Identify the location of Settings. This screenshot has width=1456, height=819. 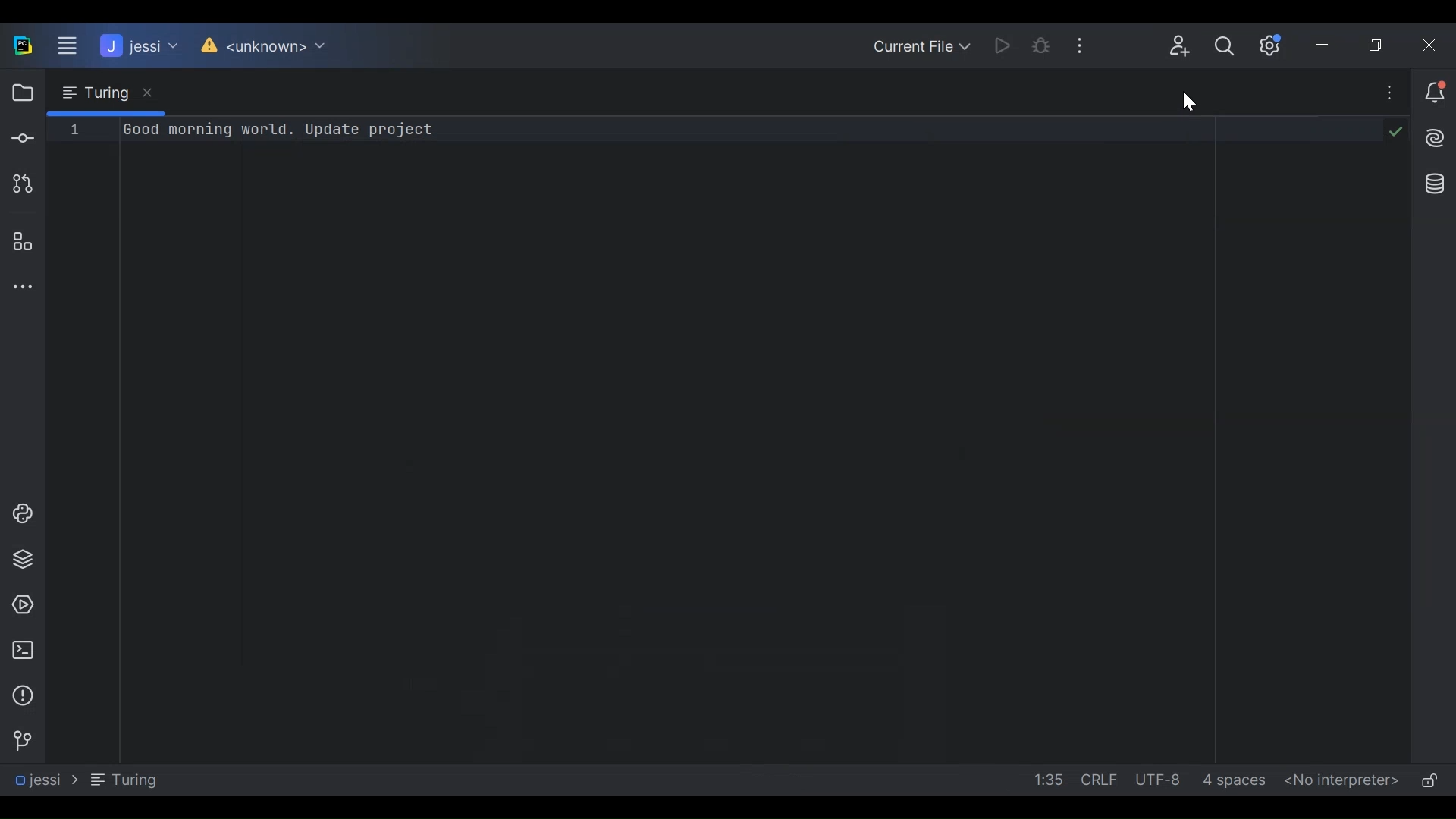
(1278, 44).